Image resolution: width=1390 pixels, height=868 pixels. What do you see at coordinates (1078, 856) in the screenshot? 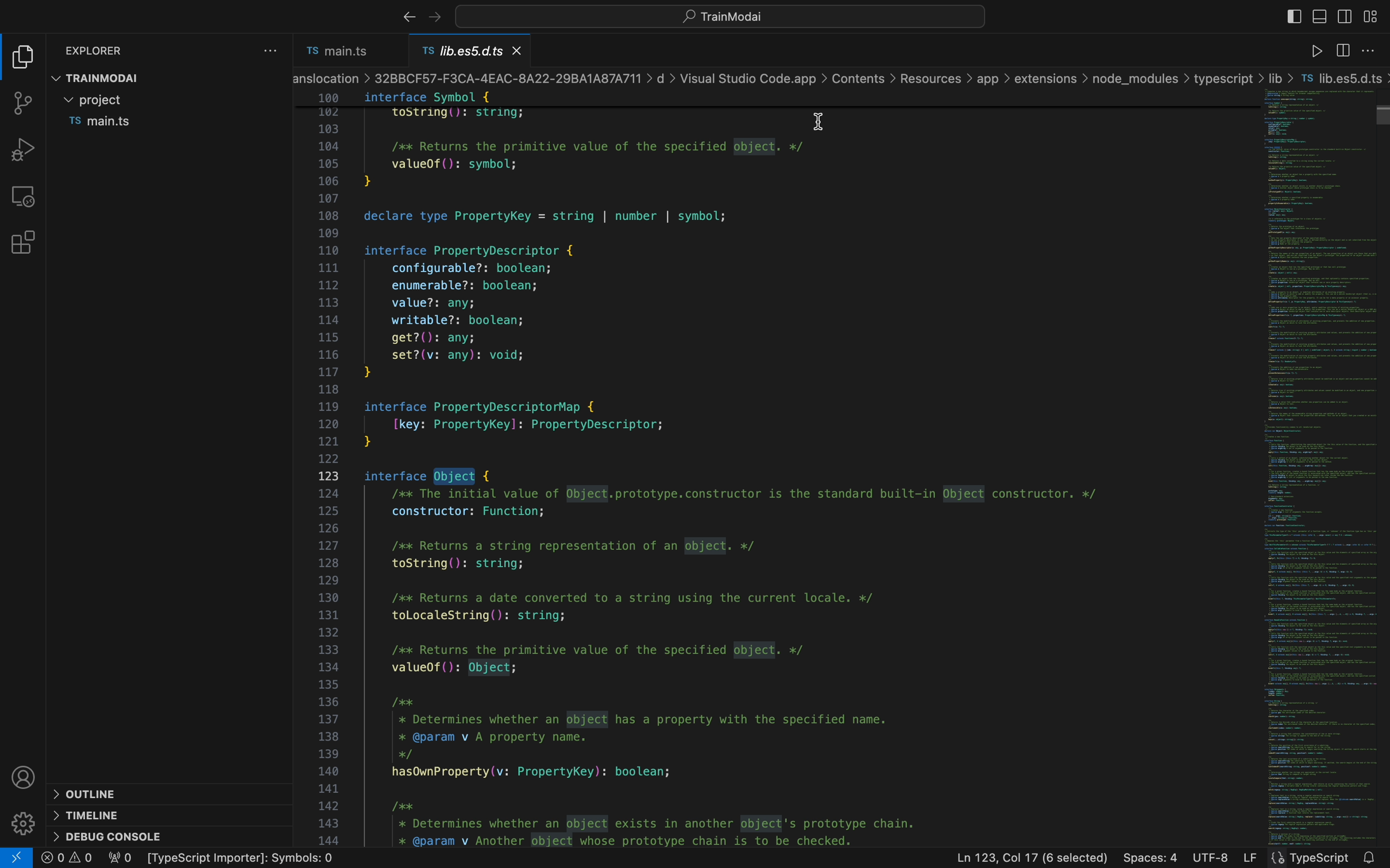
I see `16 Selected` at bounding box center [1078, 856].